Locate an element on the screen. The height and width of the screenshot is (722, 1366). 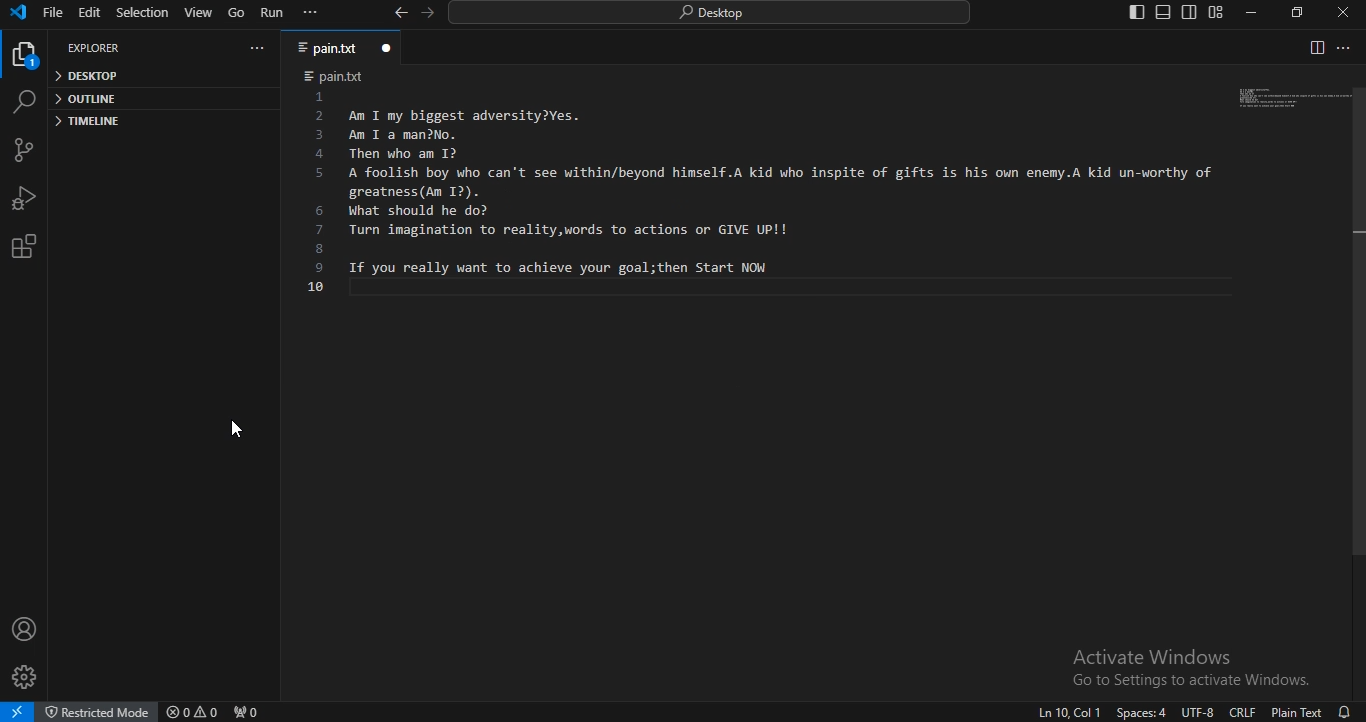
search is located at coordinates (23, 102).